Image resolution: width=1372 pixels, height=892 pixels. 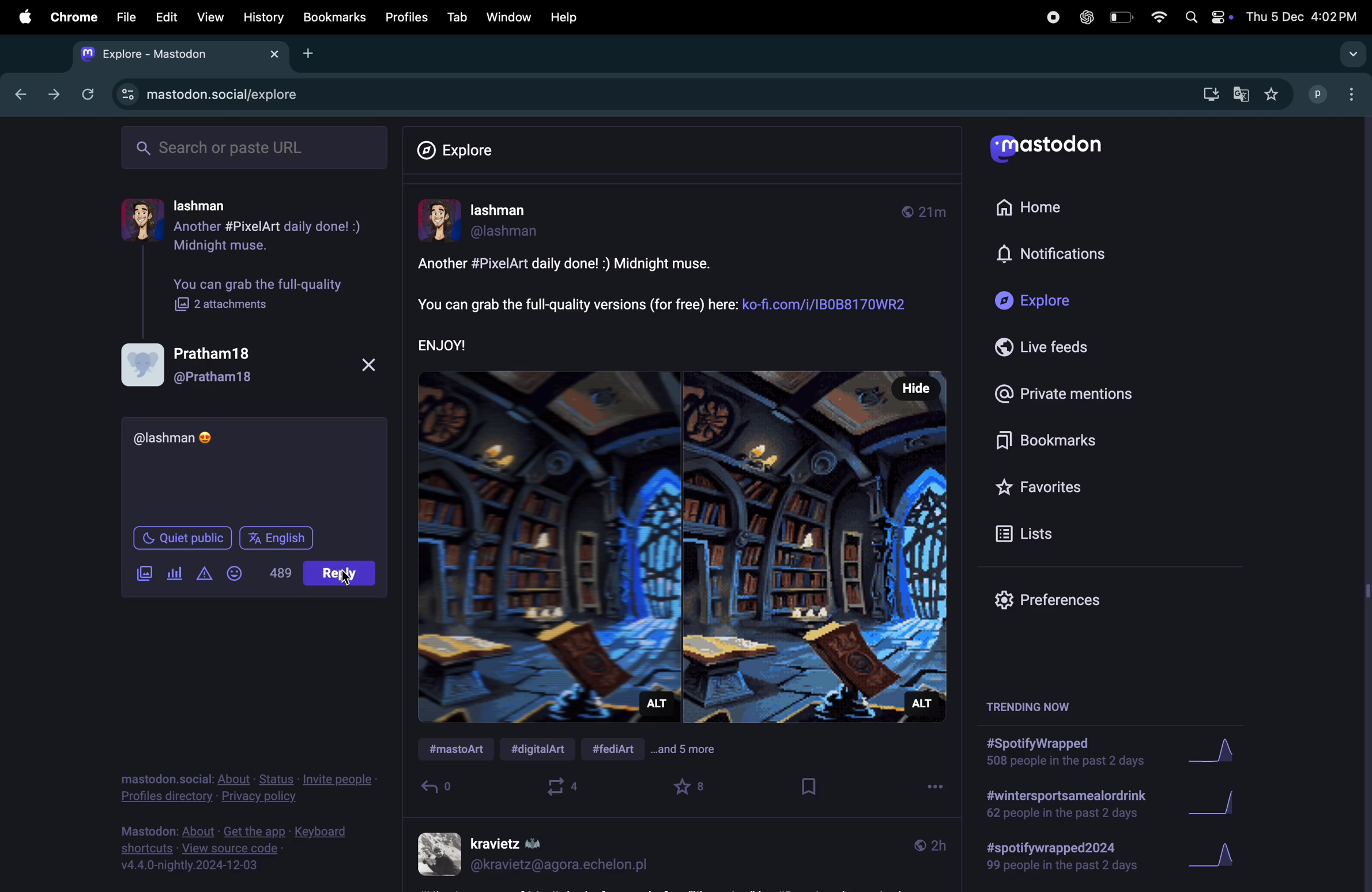 What do you see at coordinates (311, 55) in the screenshot?
I see `add tab` at bounding box center [311, 55].